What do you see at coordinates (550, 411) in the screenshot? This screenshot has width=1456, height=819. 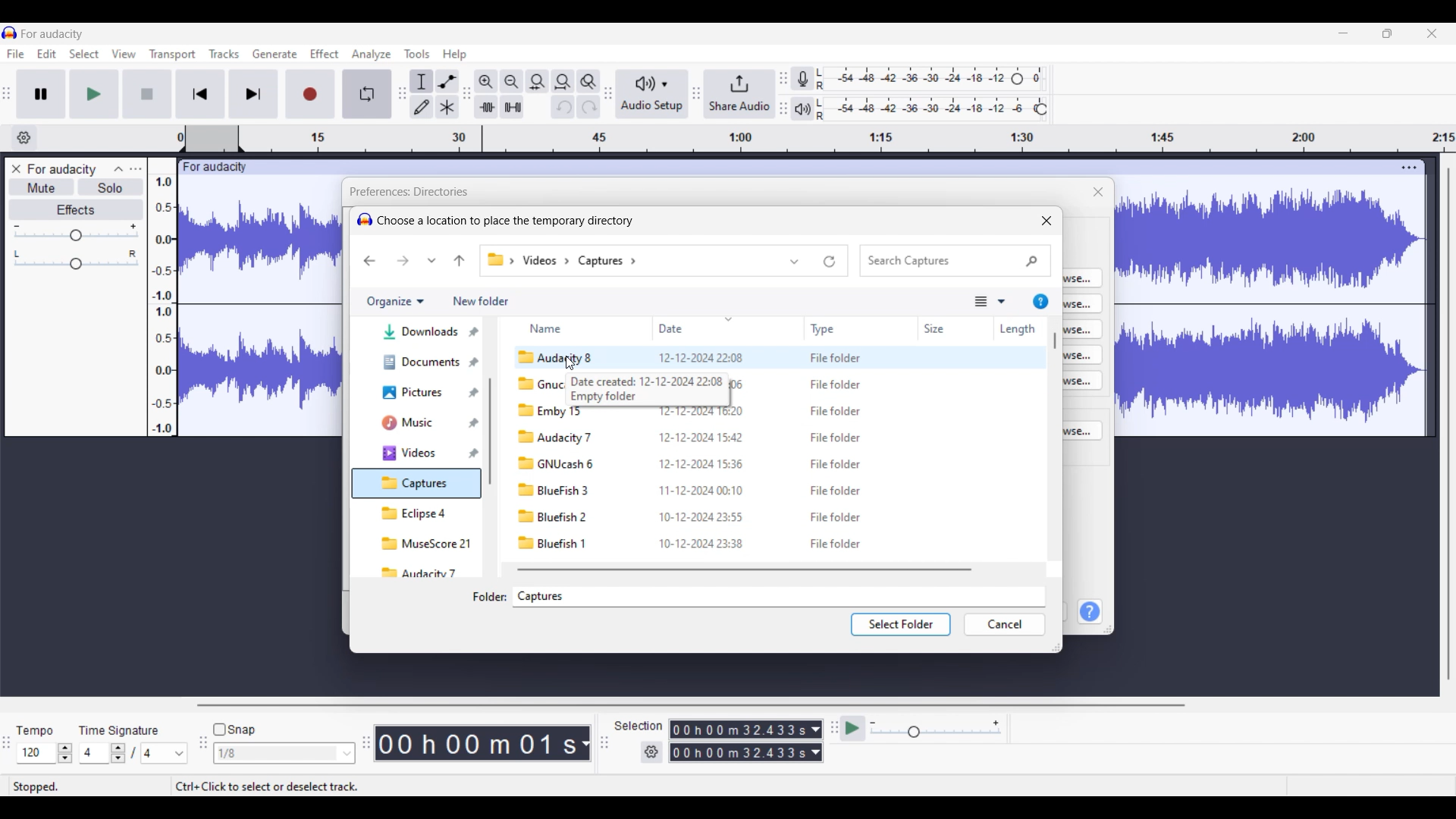 I see `emby 15` at bounding box center [550, 411].